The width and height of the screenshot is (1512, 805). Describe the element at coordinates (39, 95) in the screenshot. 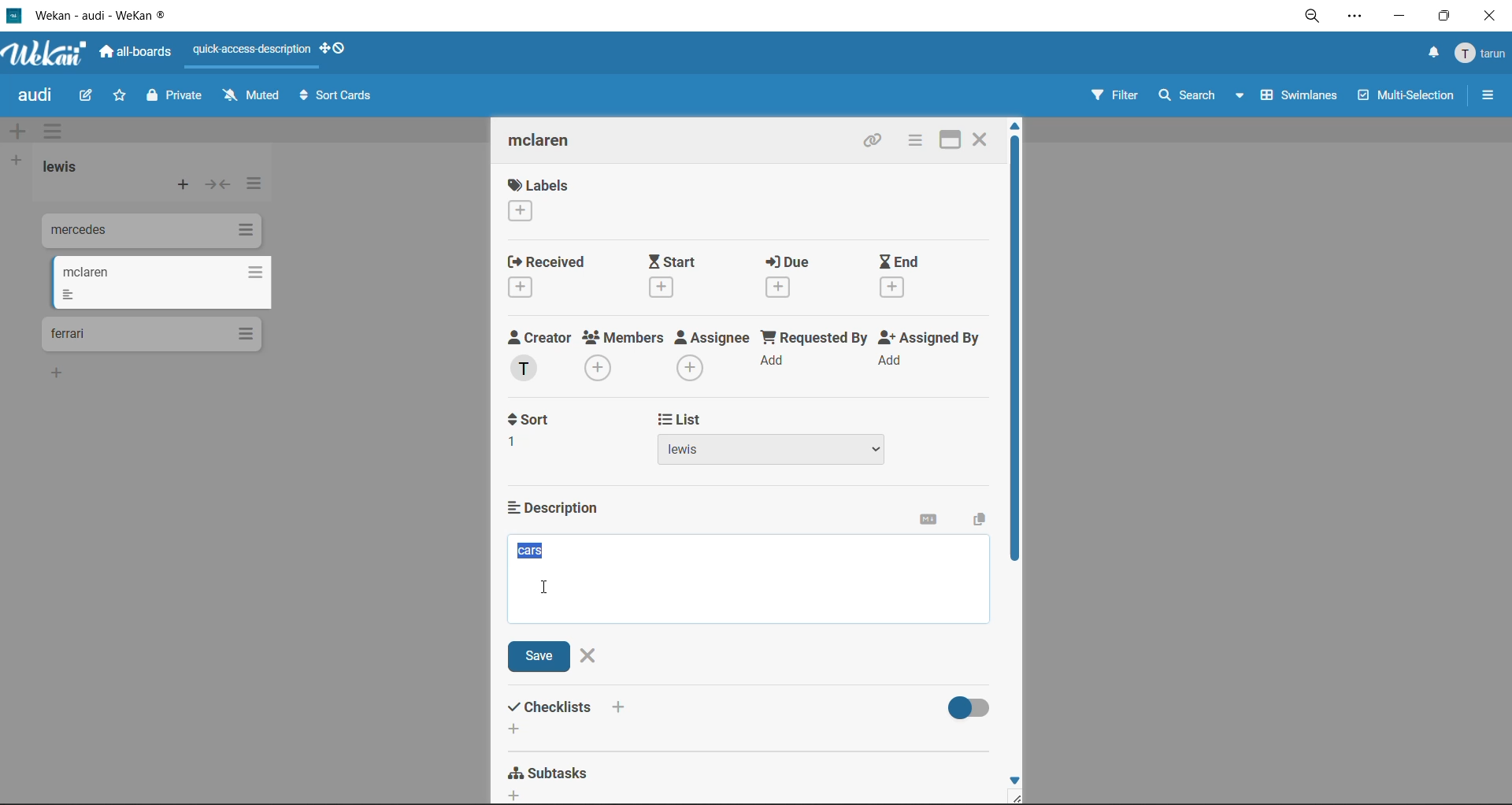

I see `board title` at that location.